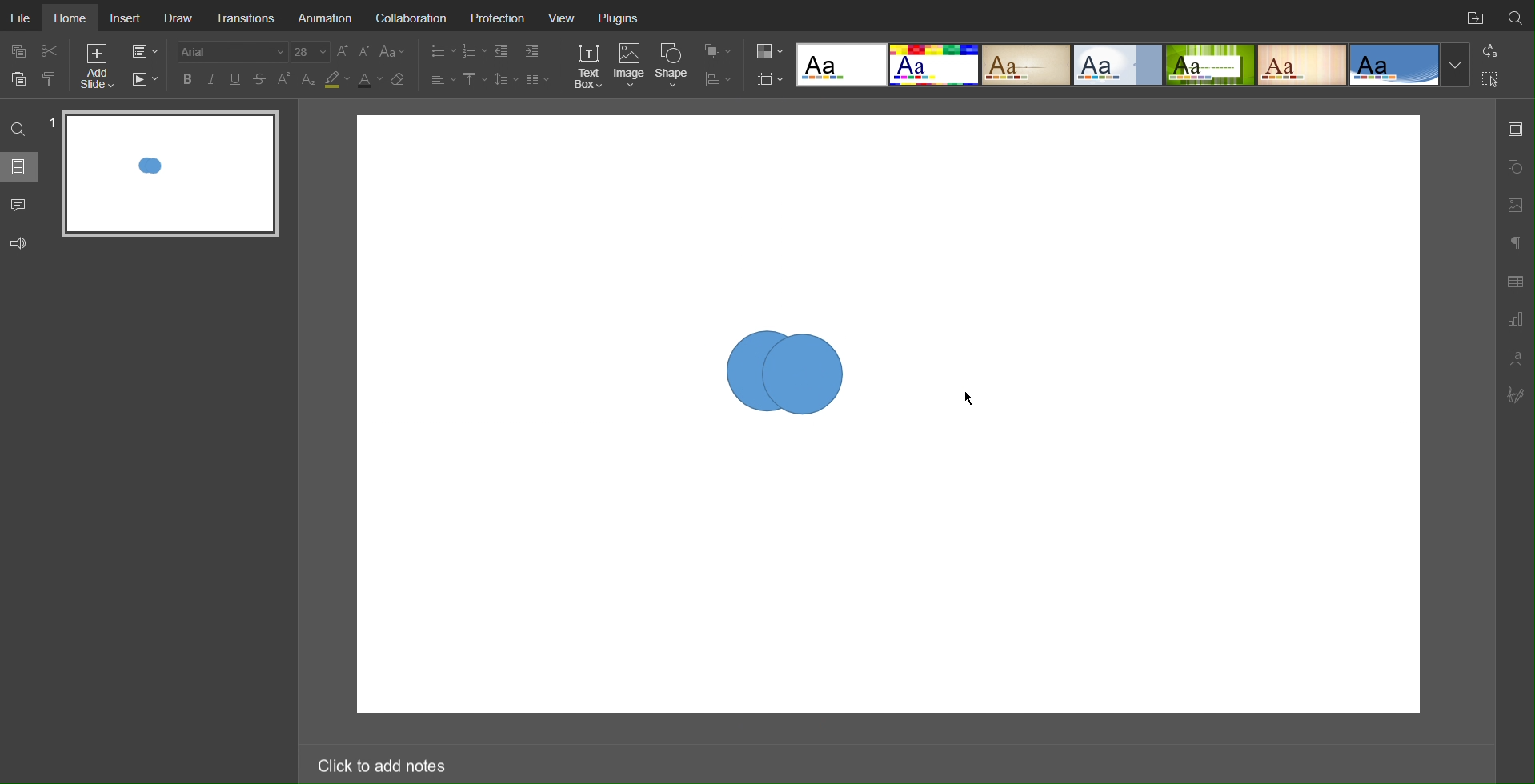  What do you see at coordinates (1514, 240) in the screenshot?
I see `Paragraph Settings` at bounding box center [1514, 240].